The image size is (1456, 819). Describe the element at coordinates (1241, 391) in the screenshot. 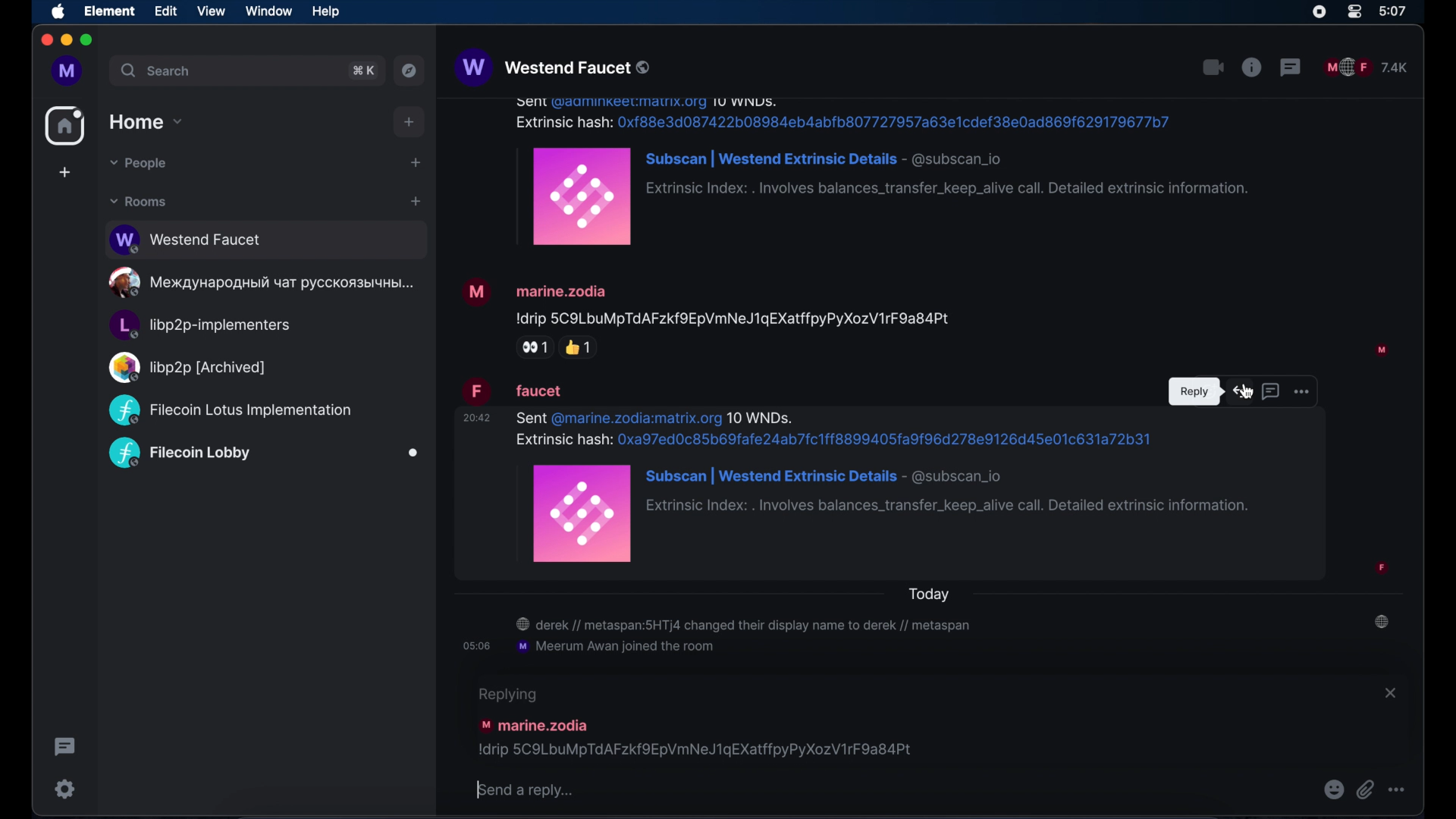

I see `reply` at that location.